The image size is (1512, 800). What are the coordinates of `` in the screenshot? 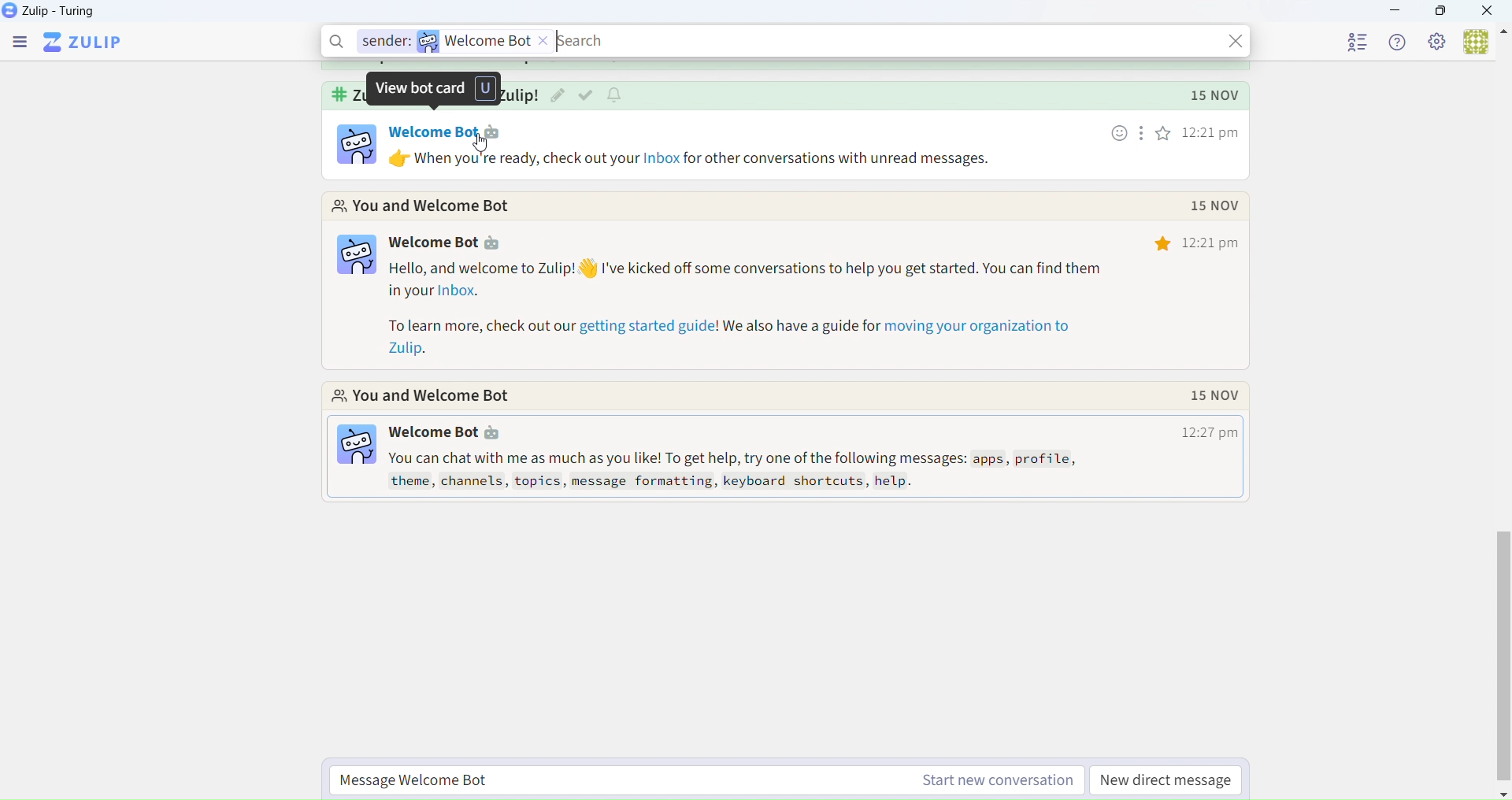 It's located at (1390, 10).